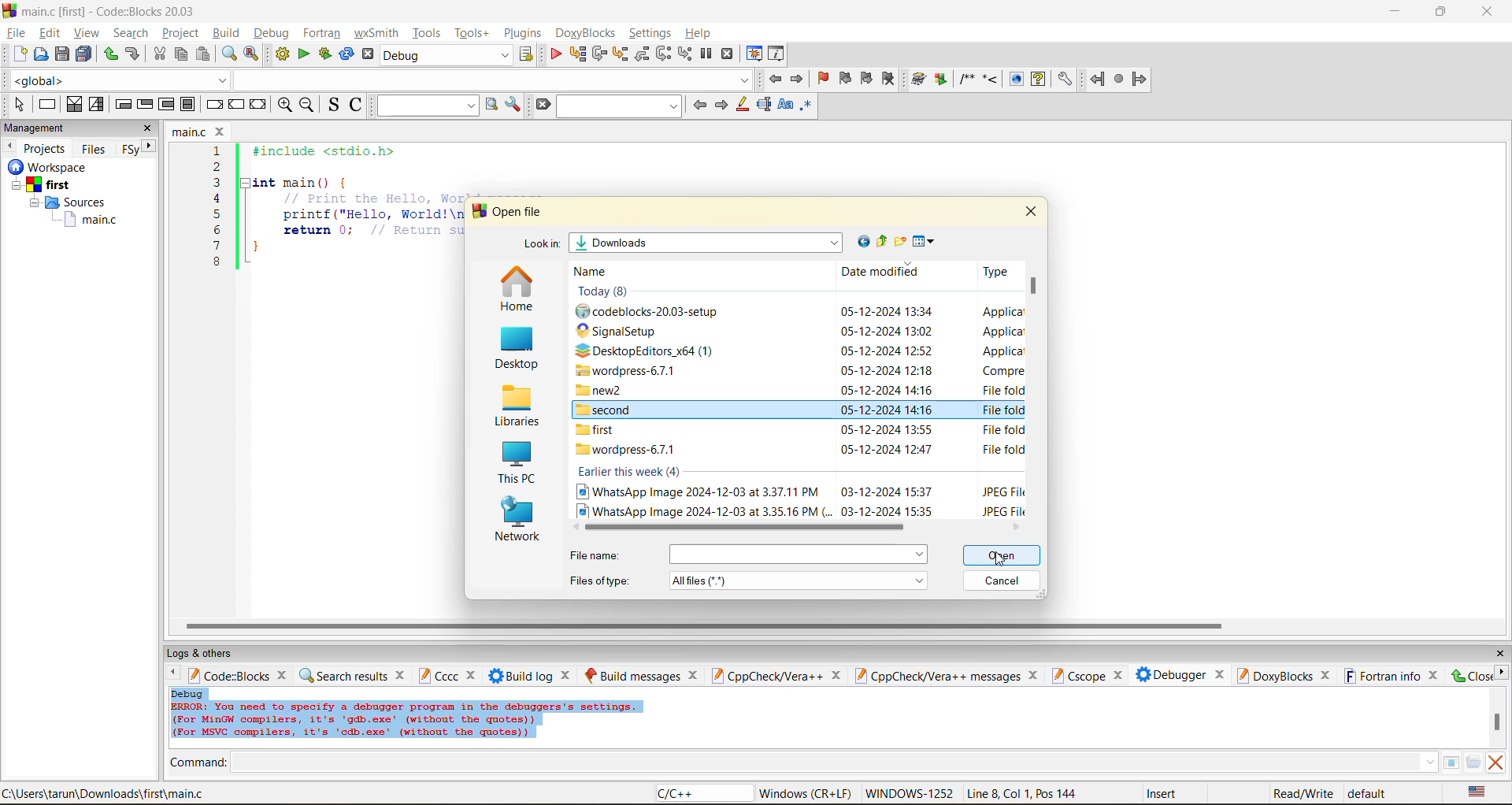  What do you see at coordinates (1120, 80) in the screenshot?
I see `stop` at bounding box center [1120, 80].